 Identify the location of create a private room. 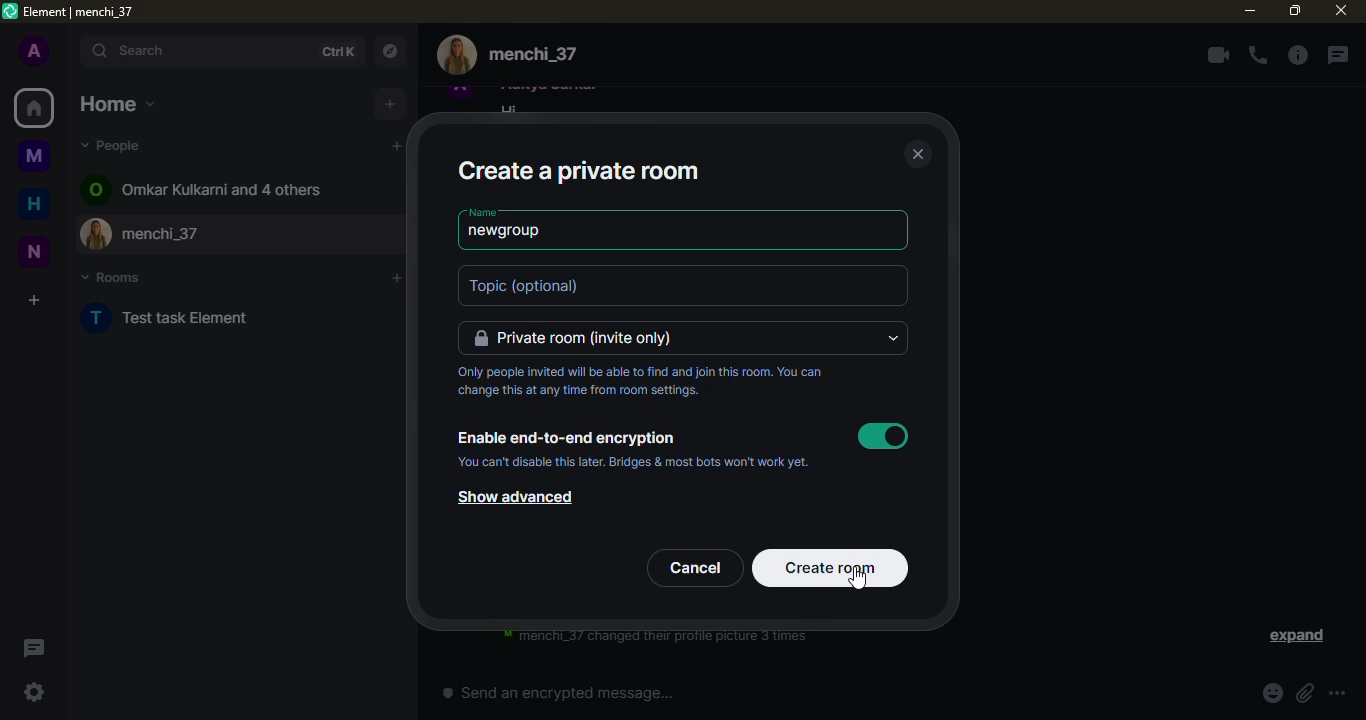
(578, 172).